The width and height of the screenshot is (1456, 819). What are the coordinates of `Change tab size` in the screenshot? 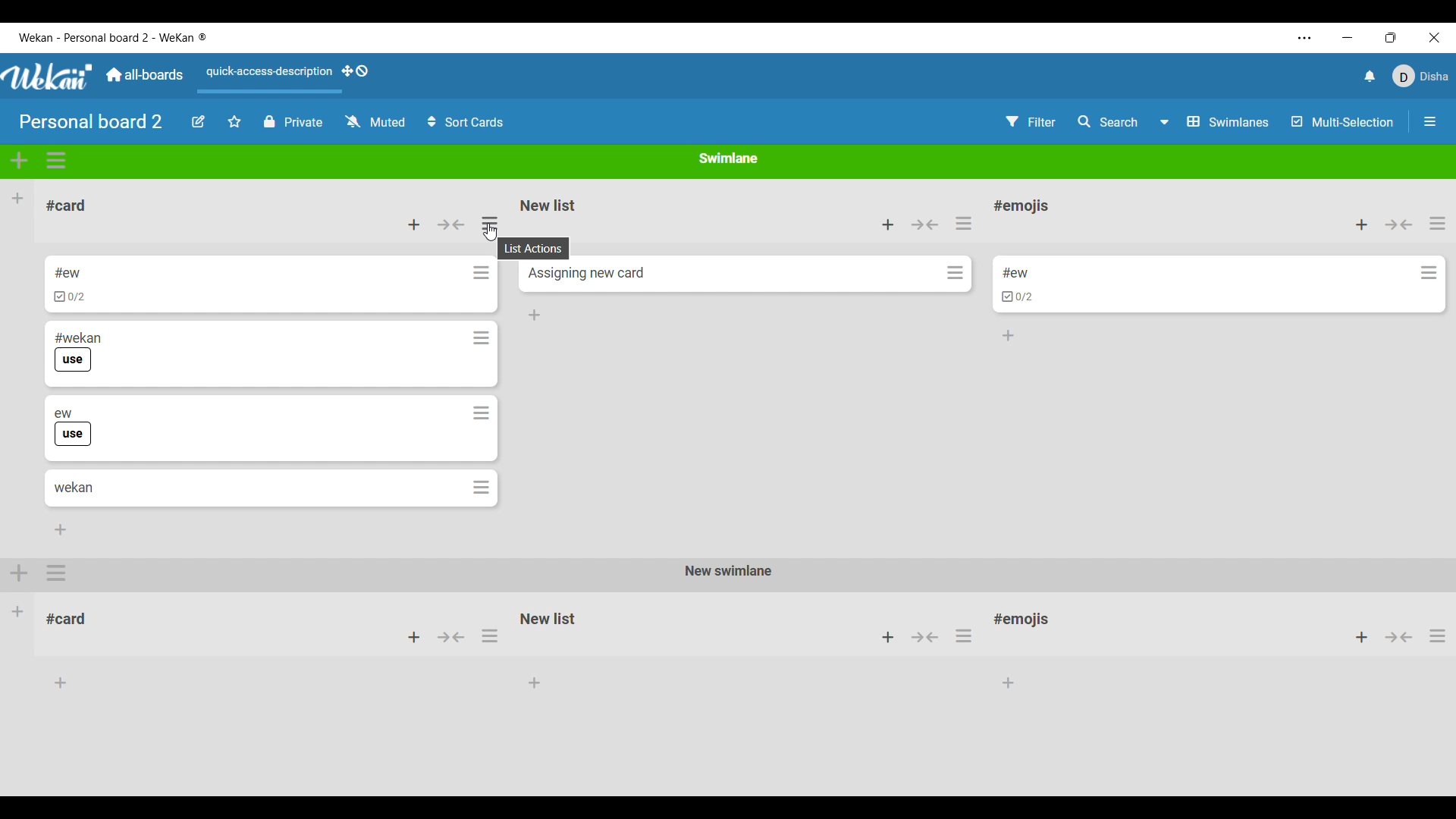 It's located at (1391, 37).